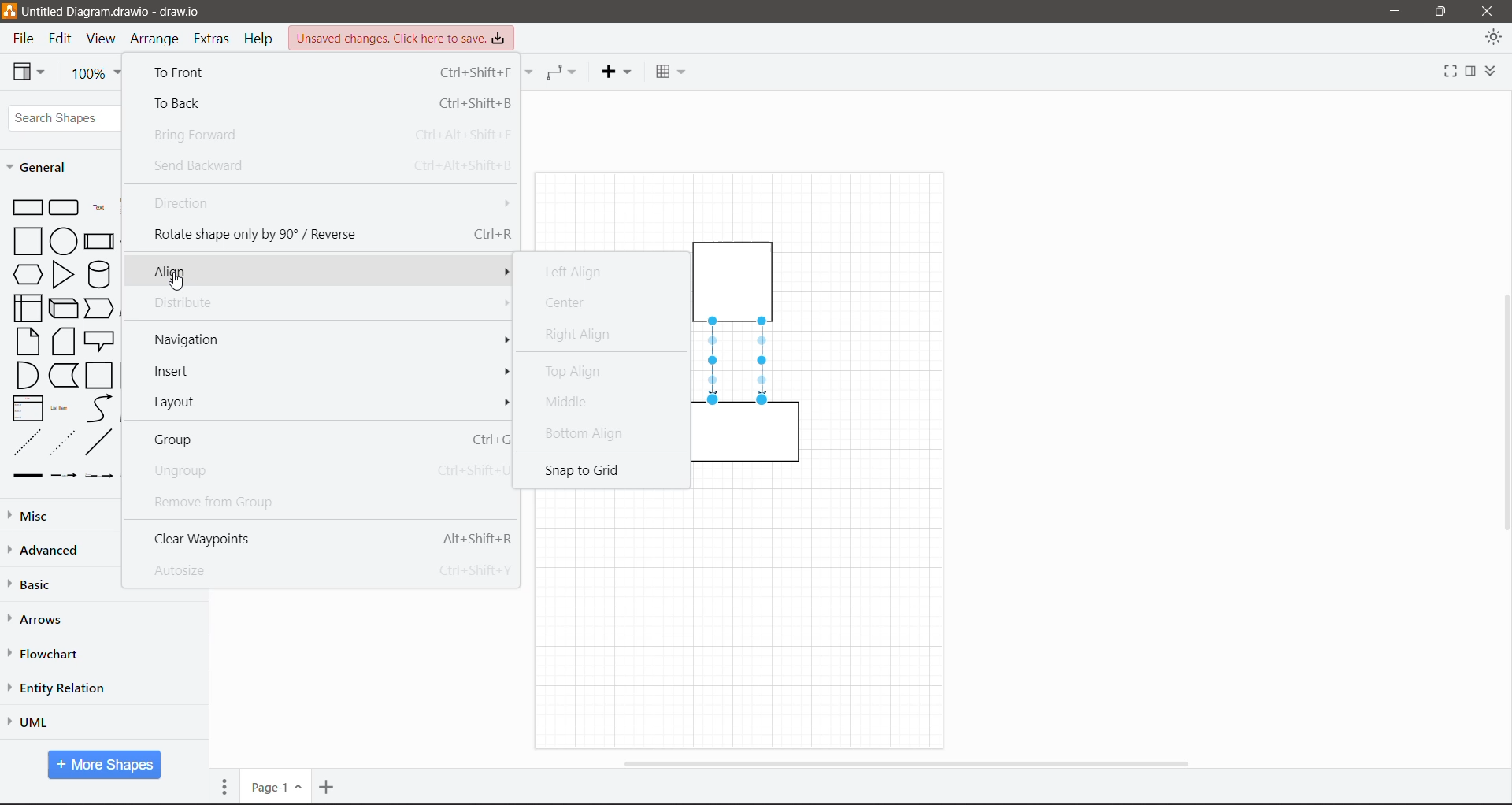  I want to click on Cylinder, so click(98, 274).